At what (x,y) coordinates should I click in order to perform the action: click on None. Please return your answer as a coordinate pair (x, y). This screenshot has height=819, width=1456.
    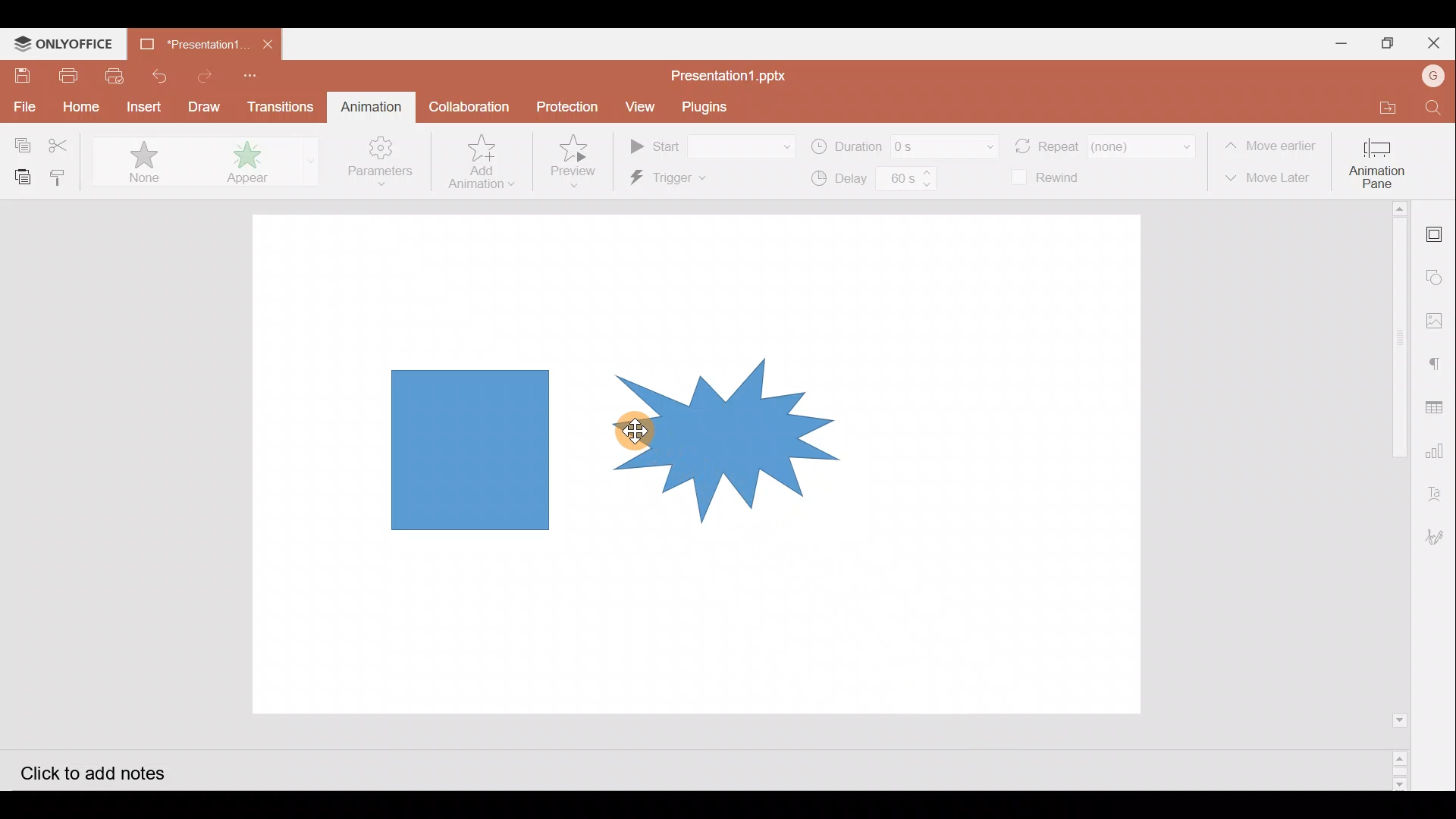
    Looking at the image, I should click on (136, 161).